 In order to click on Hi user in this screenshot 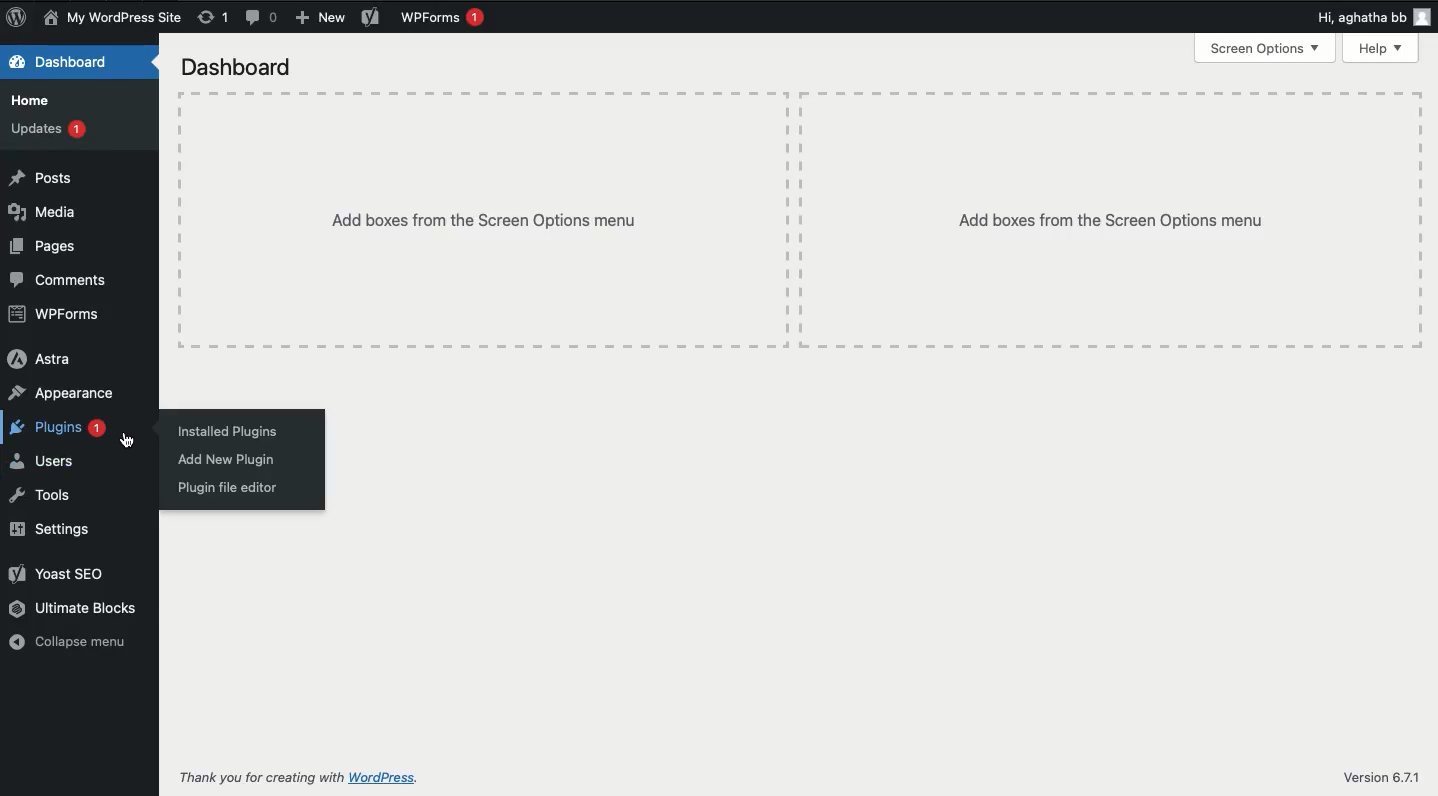, I will do `click(1373, 17)`.